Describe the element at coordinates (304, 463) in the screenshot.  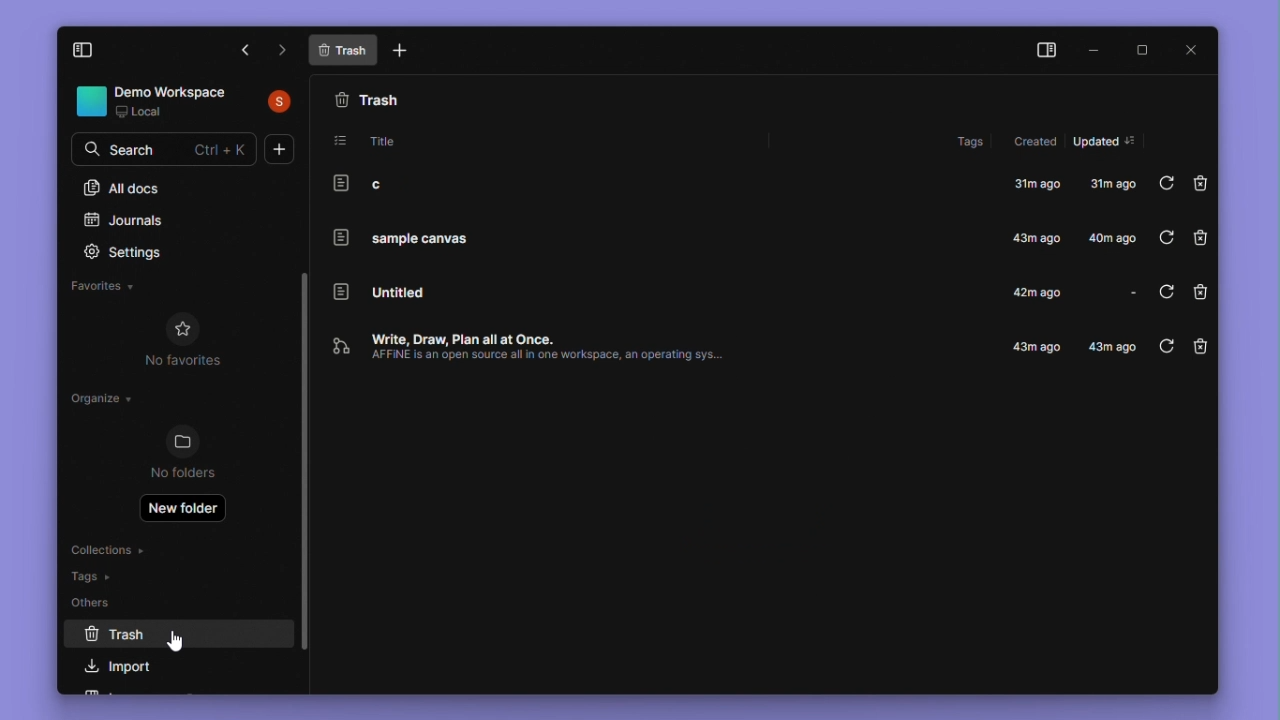
I see `Vertical scroll Bar ` at that location.